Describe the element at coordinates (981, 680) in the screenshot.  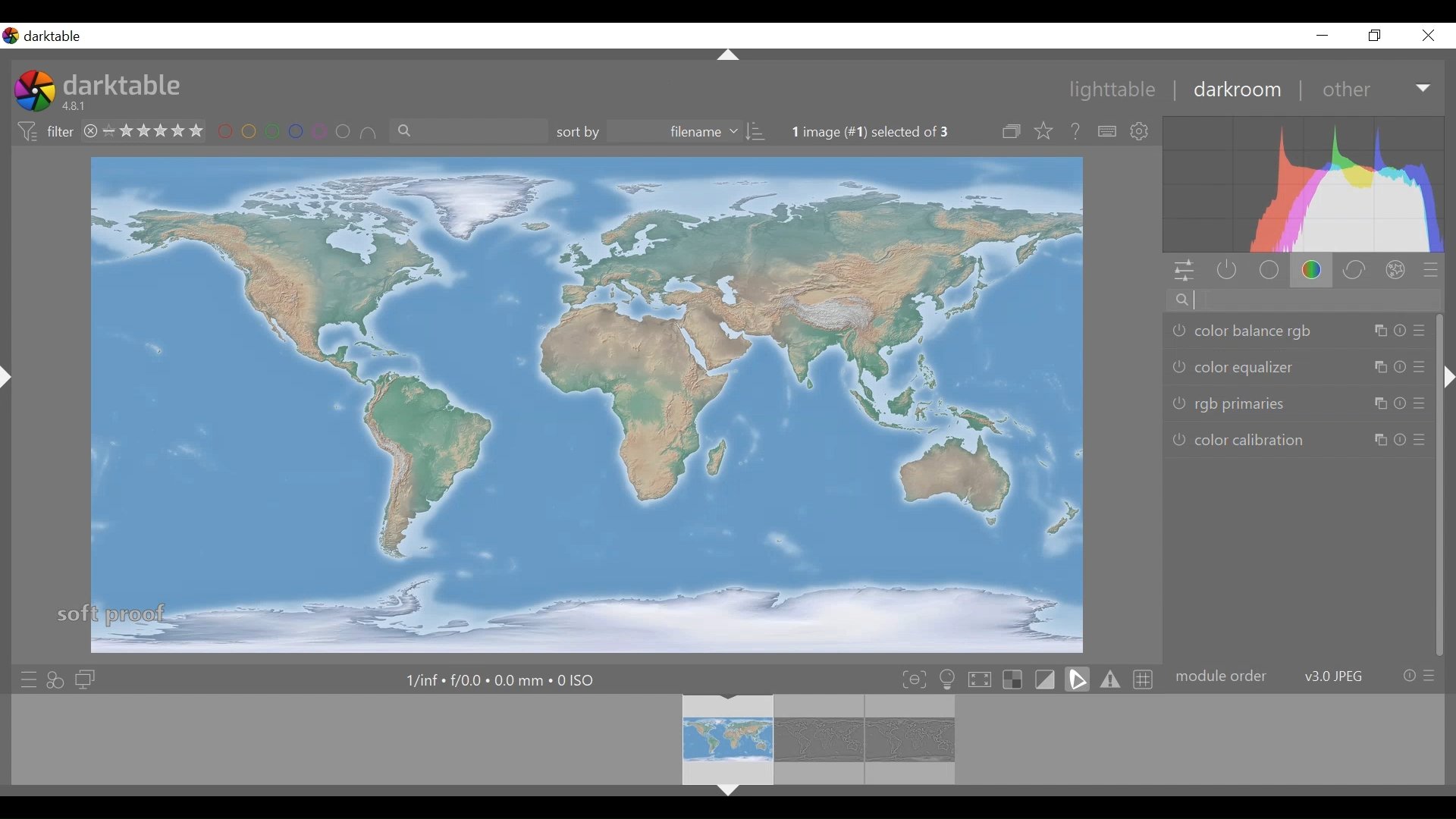
I see `toggle high quality processing` at that location.